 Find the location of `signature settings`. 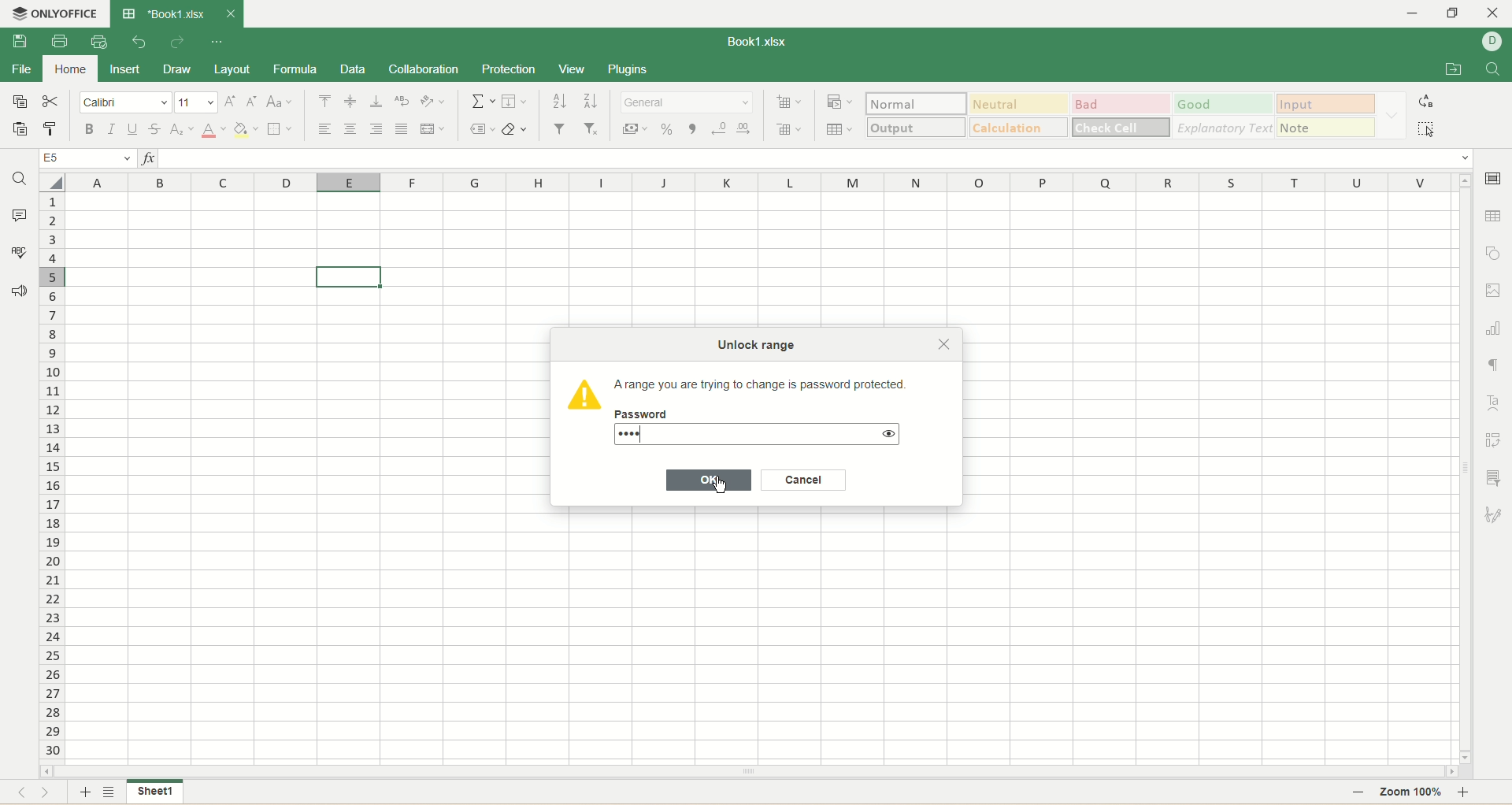

signature settings is located at coordinates (1495, 515).